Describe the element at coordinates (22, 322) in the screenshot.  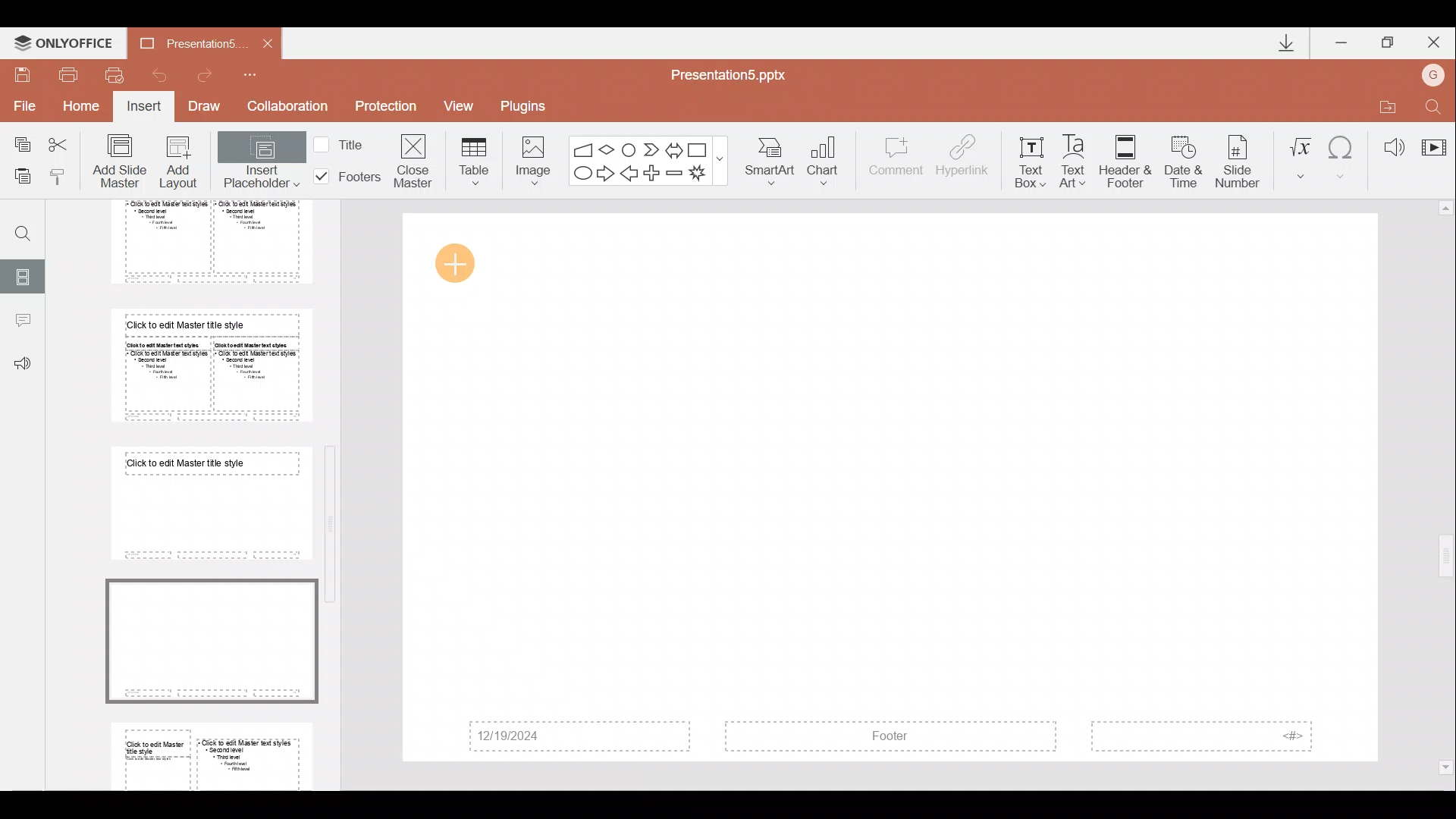
I see `Comments` at that location.